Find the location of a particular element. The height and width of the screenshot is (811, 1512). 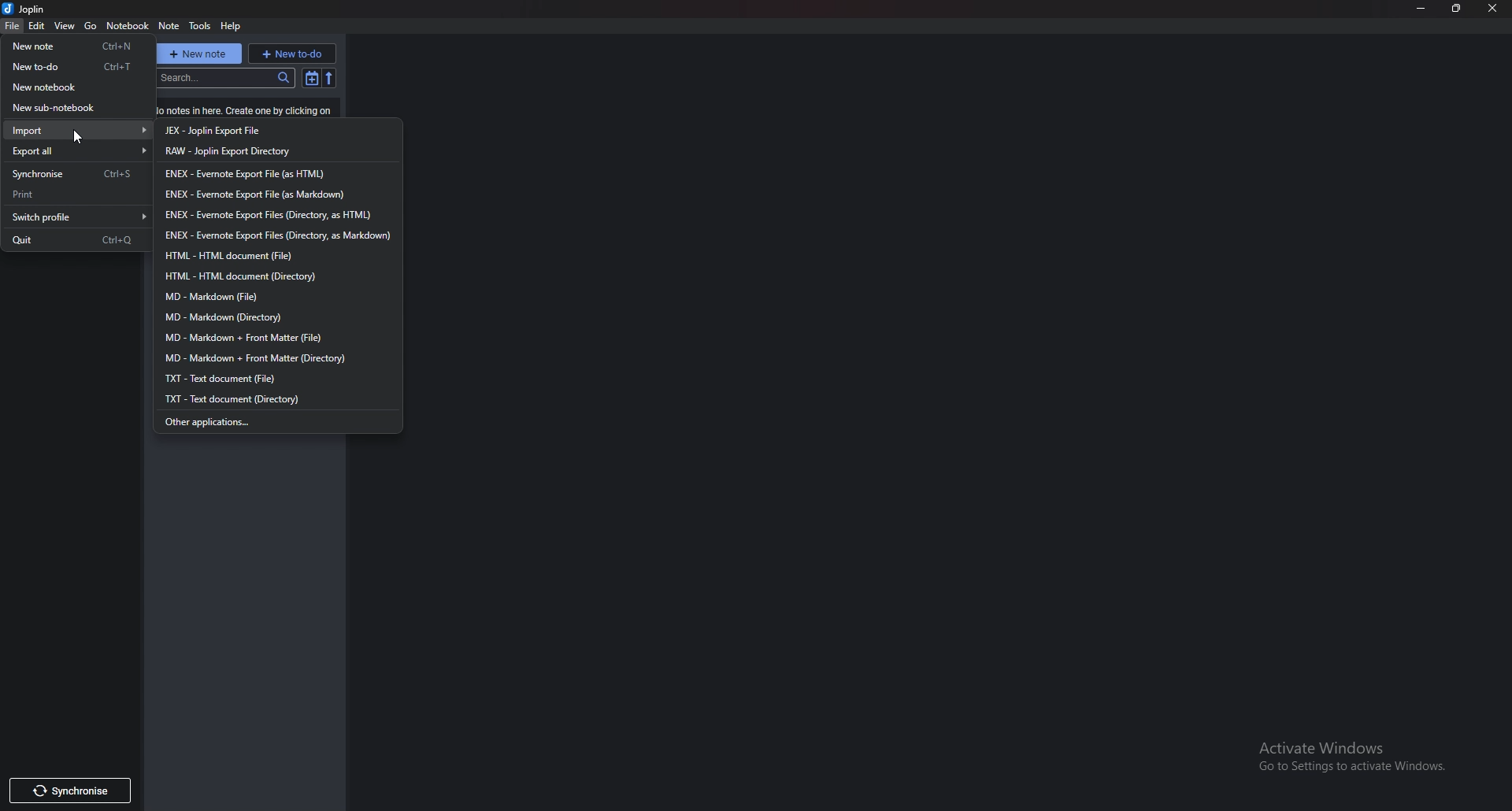

enex directory html is located at coordinates (269, 216).